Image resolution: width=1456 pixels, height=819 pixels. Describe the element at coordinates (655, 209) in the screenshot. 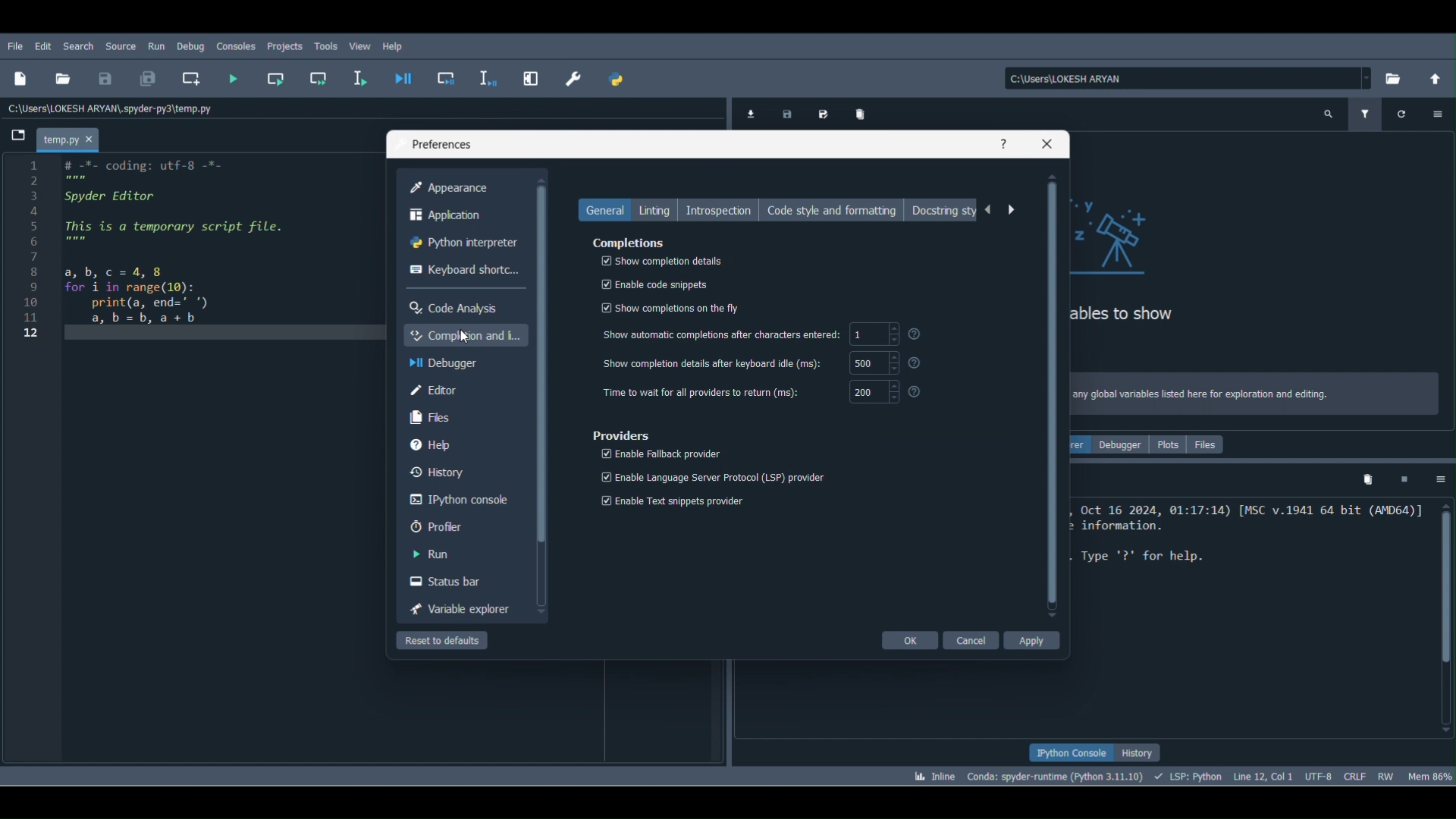

I see `Linting` at that location.